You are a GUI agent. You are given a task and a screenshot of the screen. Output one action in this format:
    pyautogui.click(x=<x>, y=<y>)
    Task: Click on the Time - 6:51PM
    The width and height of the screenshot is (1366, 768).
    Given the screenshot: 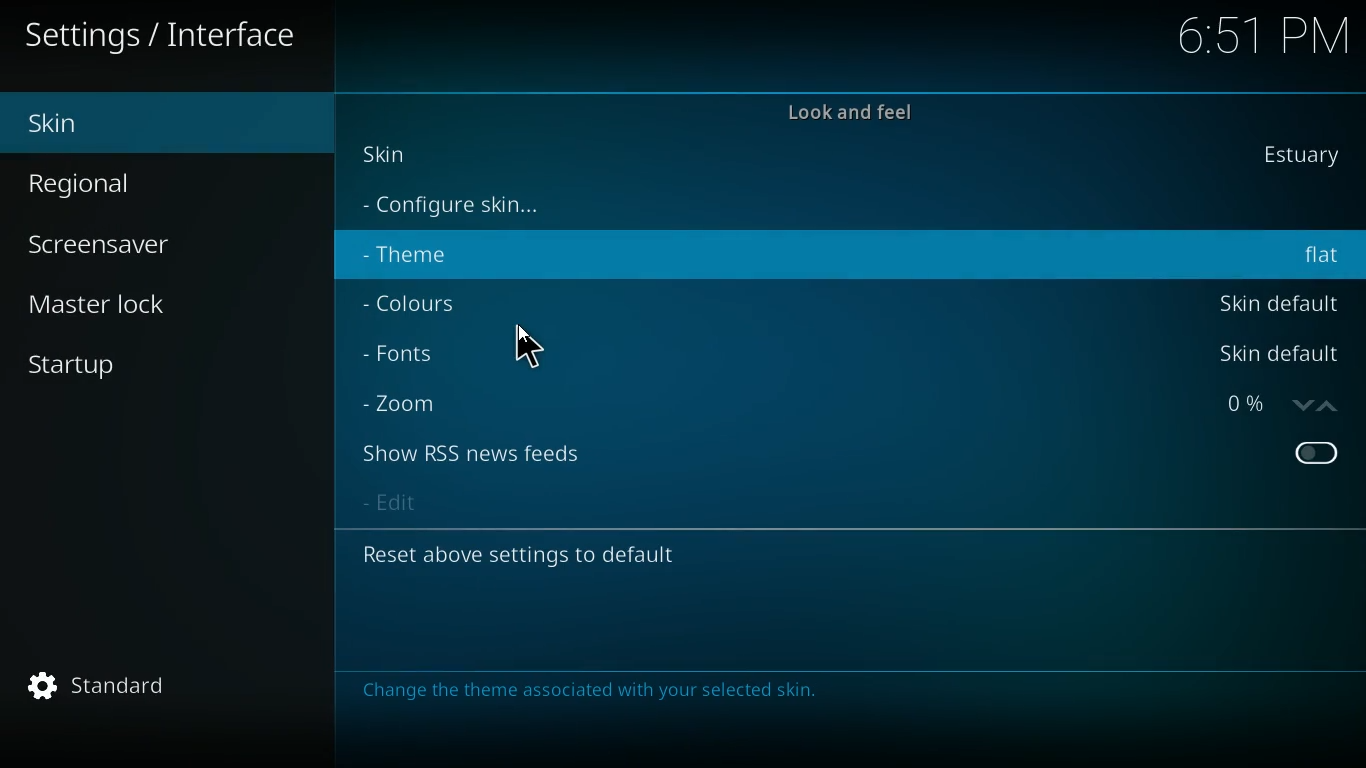 What is the action you would take?
    pyautogui.click(x=1256, y=36)
    